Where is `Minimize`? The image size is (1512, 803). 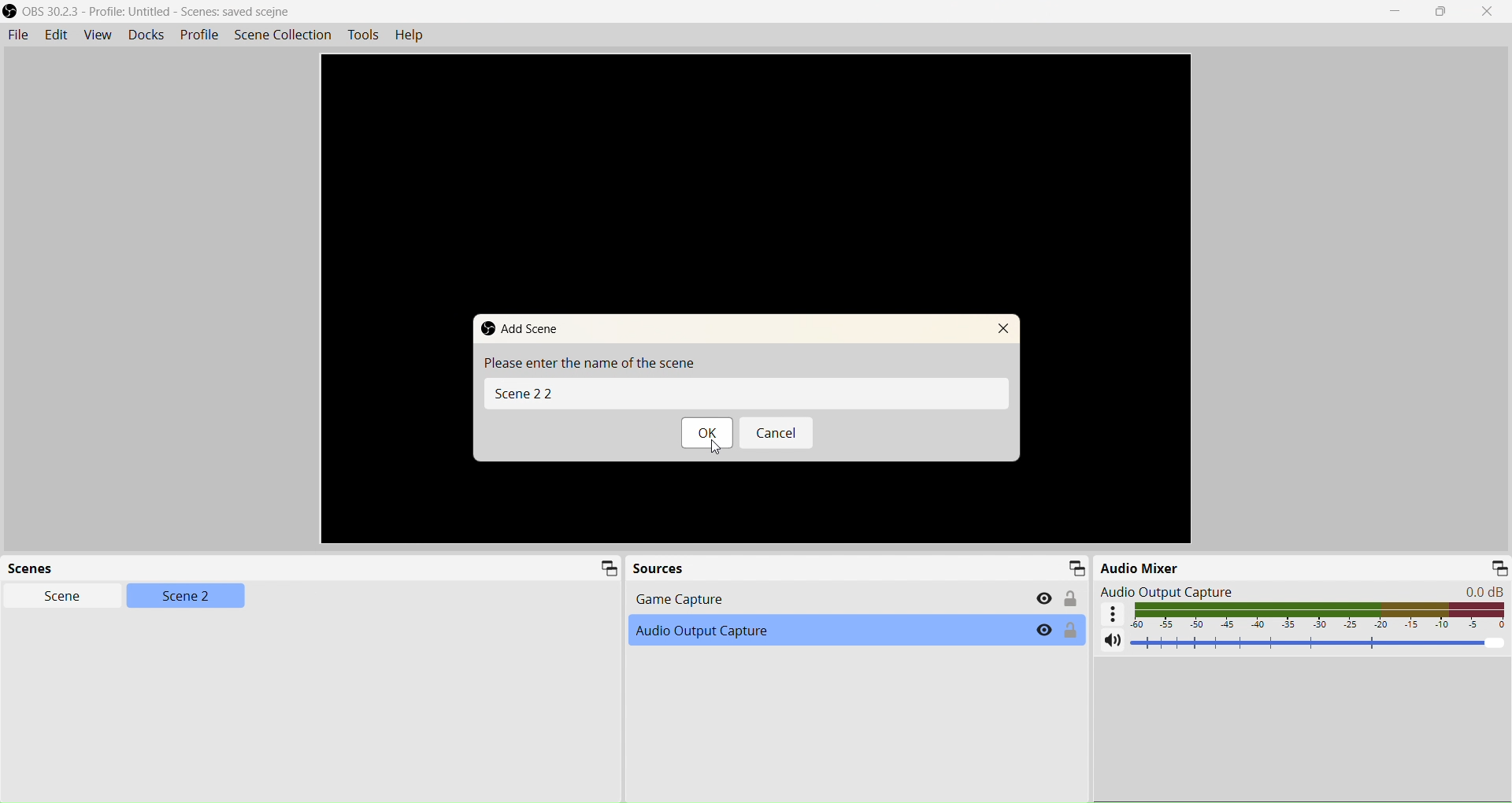 Minimize is located at coordinates (1075, 567).